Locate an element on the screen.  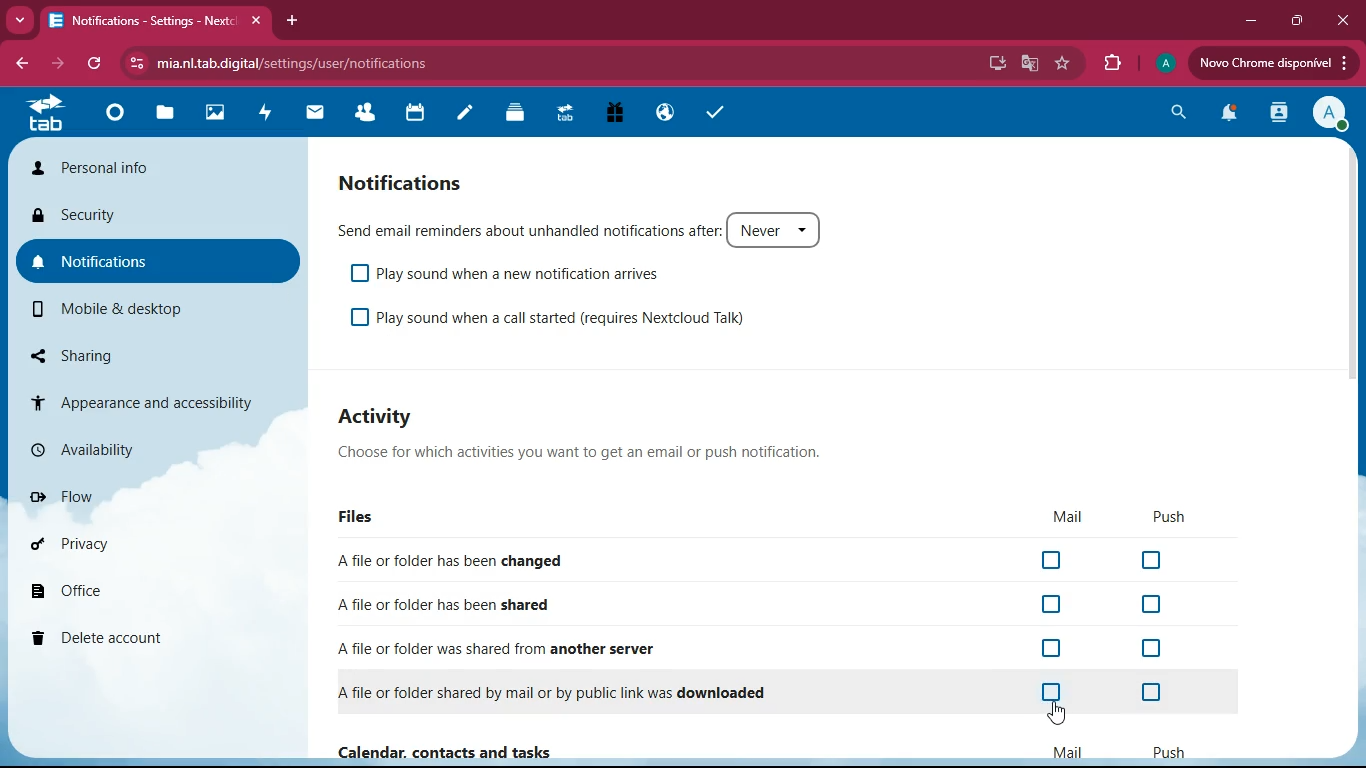
add tab is located at coordinates (296, 21).